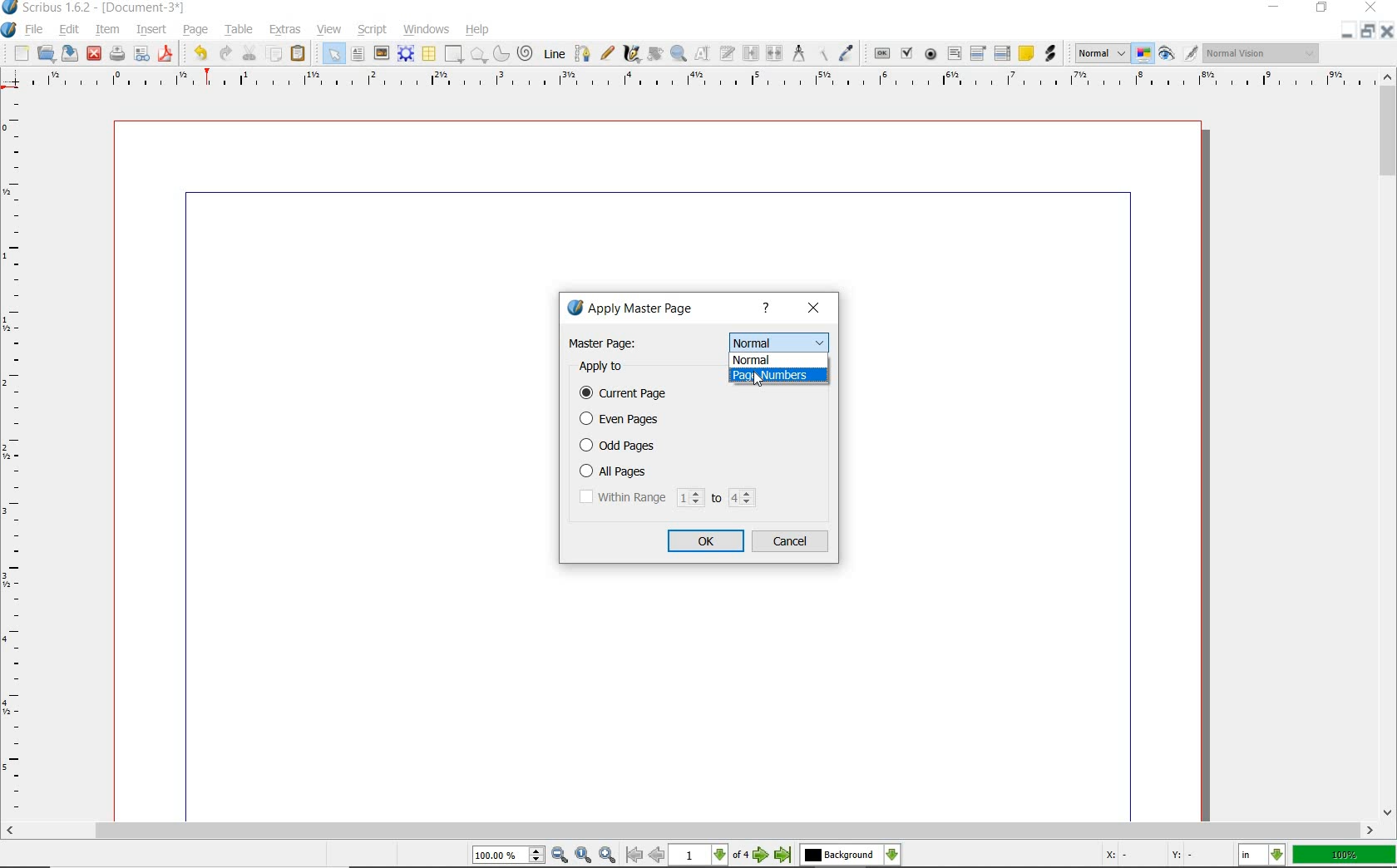 This screenshot has width=1397, height=868. Describe the element at coordinates (635, 310) in the screenshot. I see `apply master page` at that location.